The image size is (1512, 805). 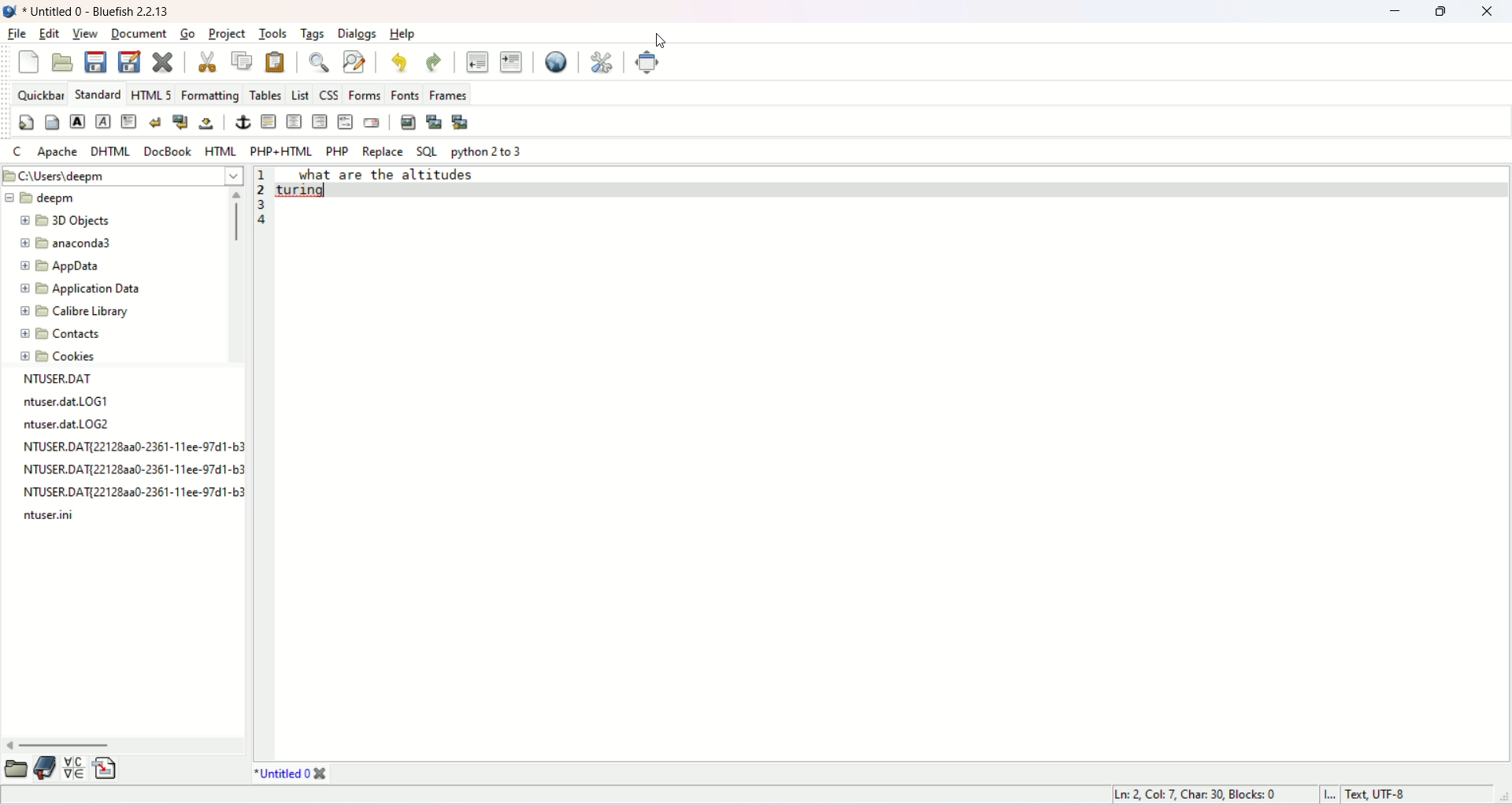 I want to click on file, so click(x=16, y=35).